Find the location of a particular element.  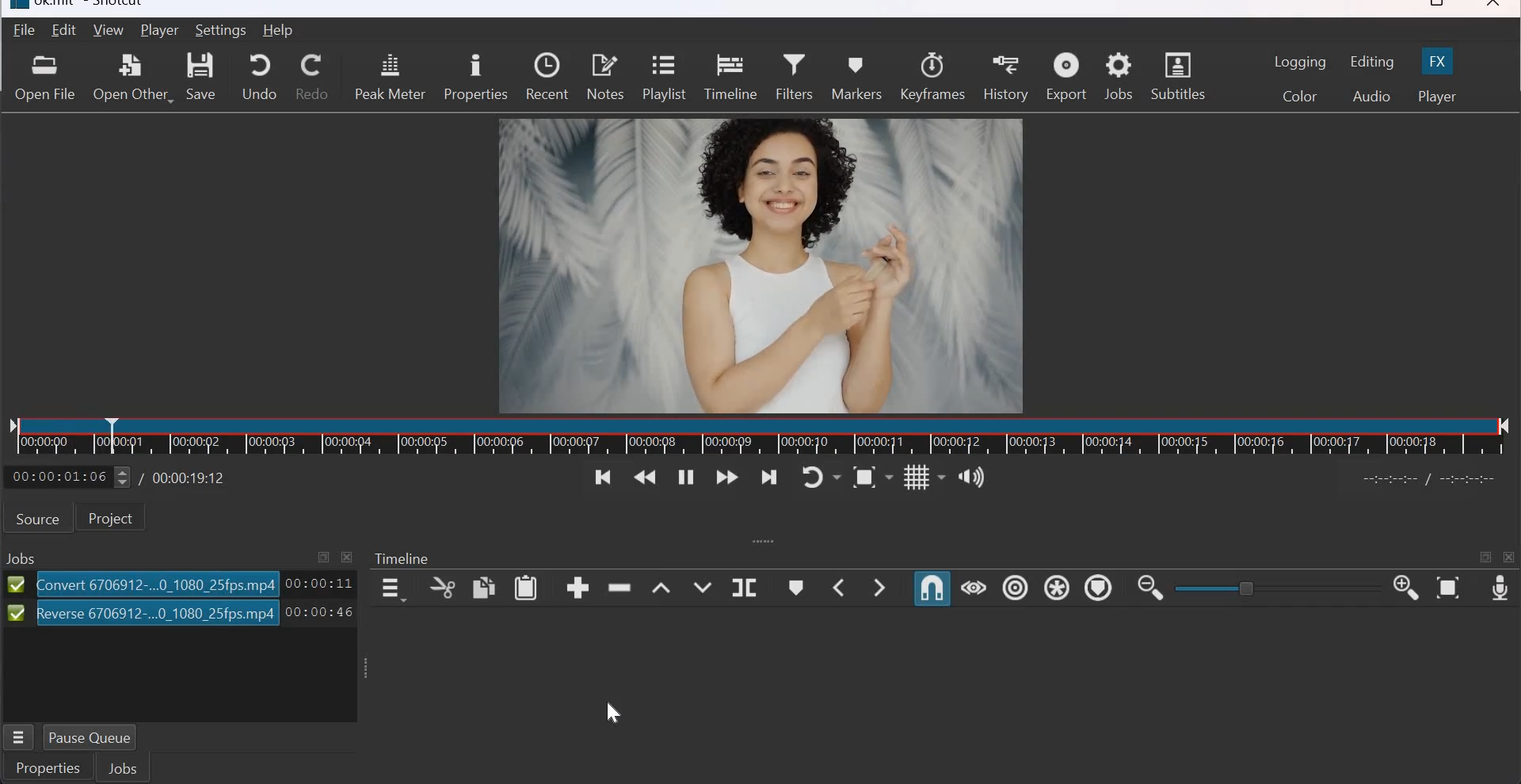

Create/edit marker is located at coordinates (798, 587).